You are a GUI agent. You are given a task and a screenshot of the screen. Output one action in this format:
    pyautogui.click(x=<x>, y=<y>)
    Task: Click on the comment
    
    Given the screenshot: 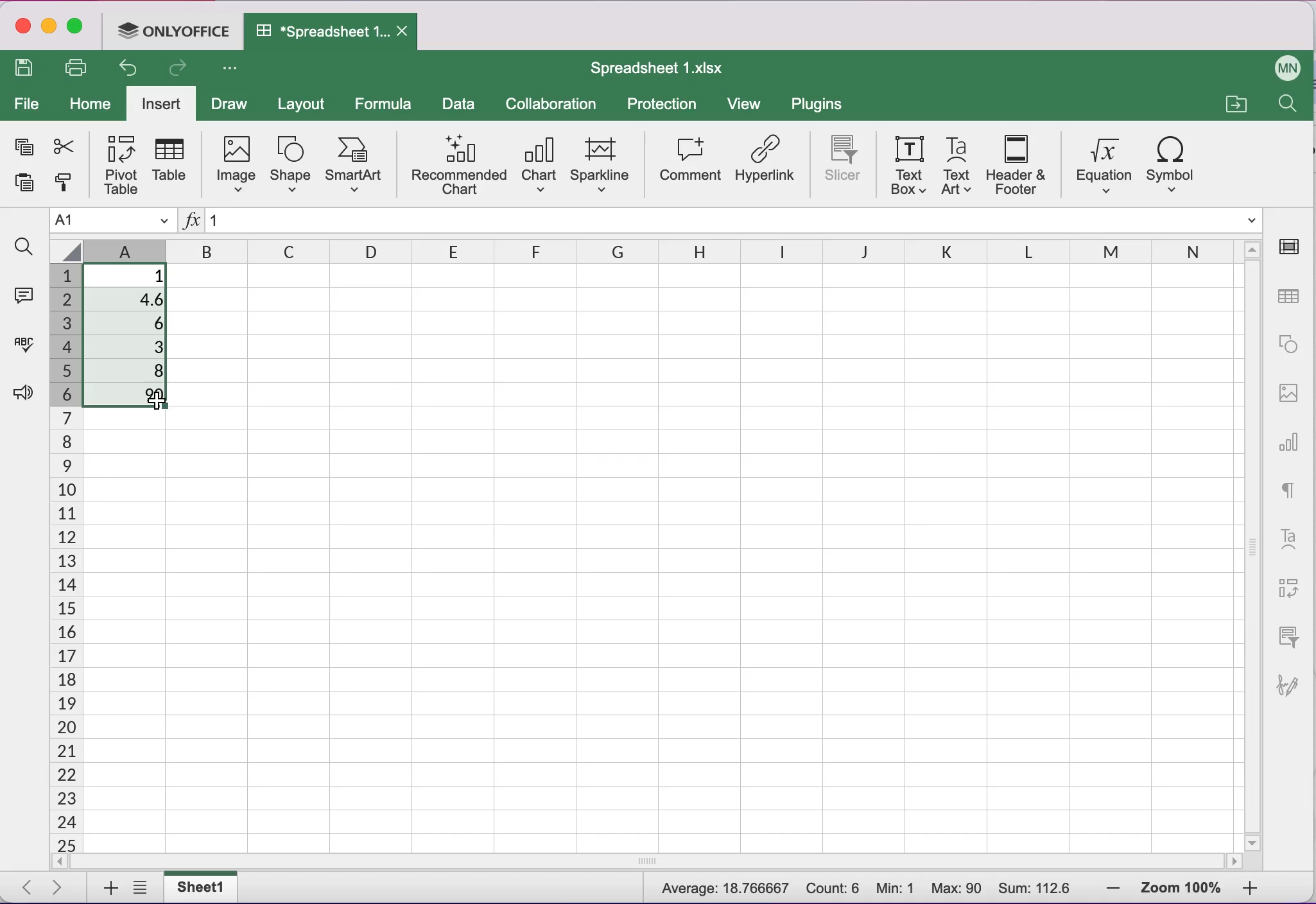 What is the action you would take?
    pyautogui.click(x=689, y=164)
    